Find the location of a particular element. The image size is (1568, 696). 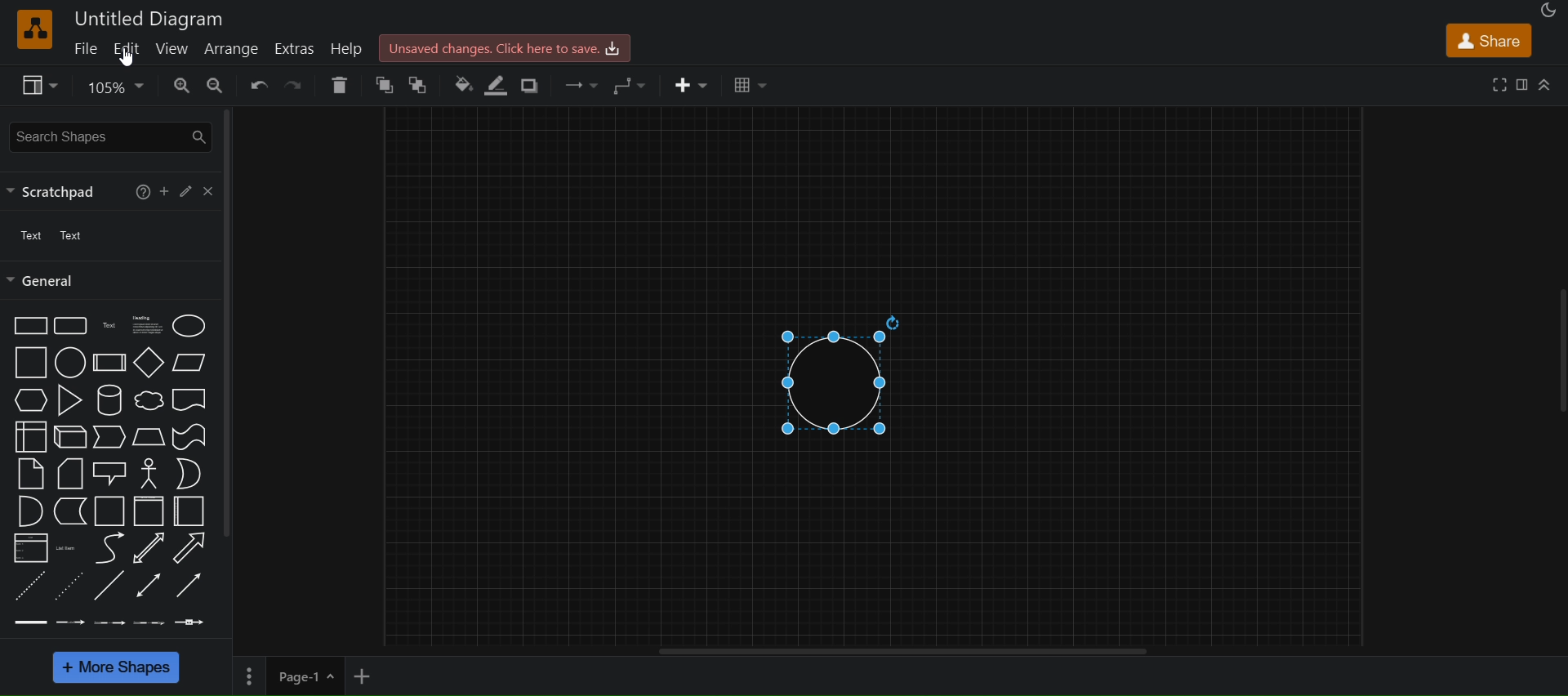

cube is located at coordinates (68, 437).